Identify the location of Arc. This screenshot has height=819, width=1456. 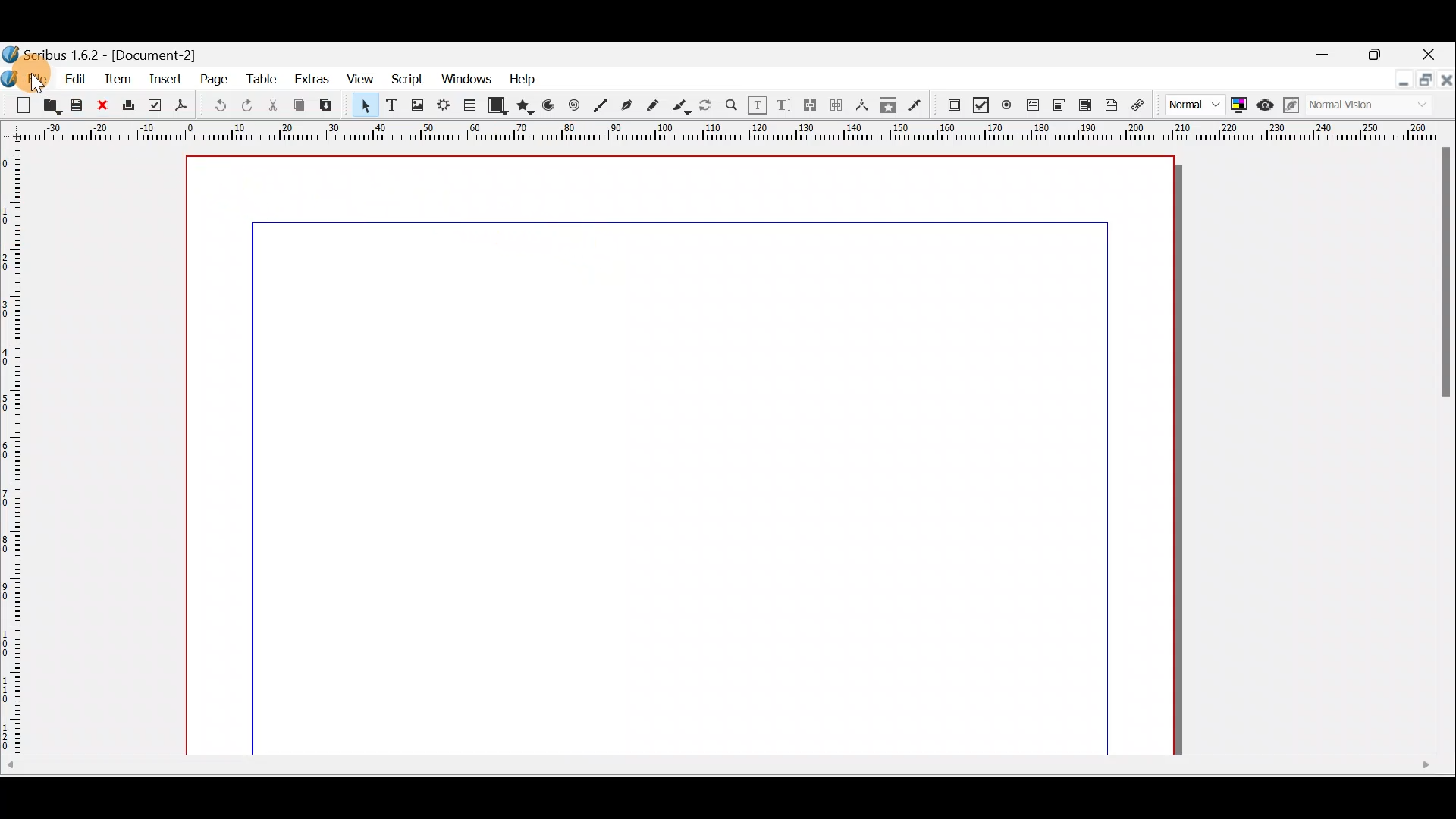
(549, 107).